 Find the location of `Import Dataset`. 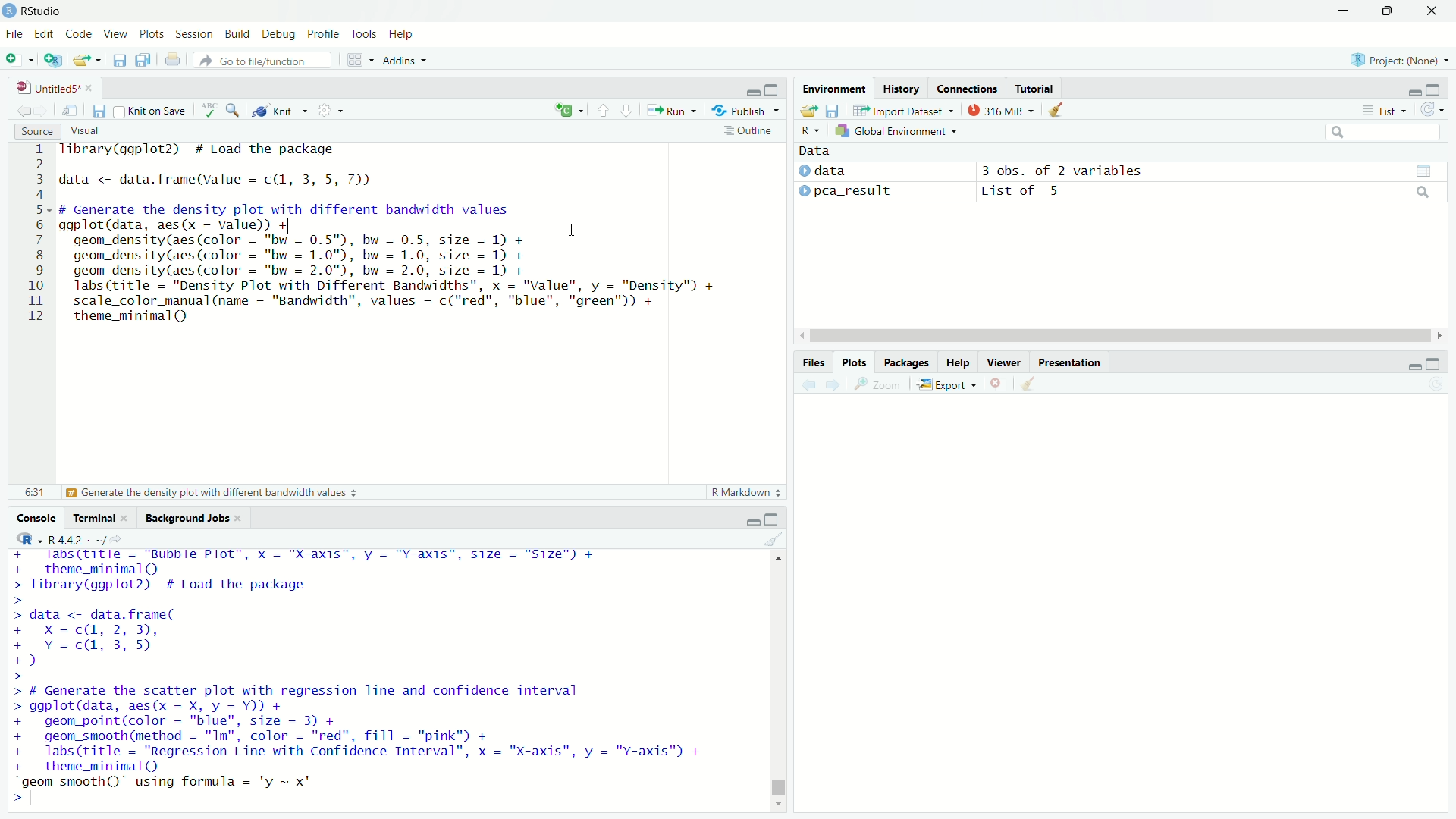

Import Dataset is located at coordinates (905, 110).